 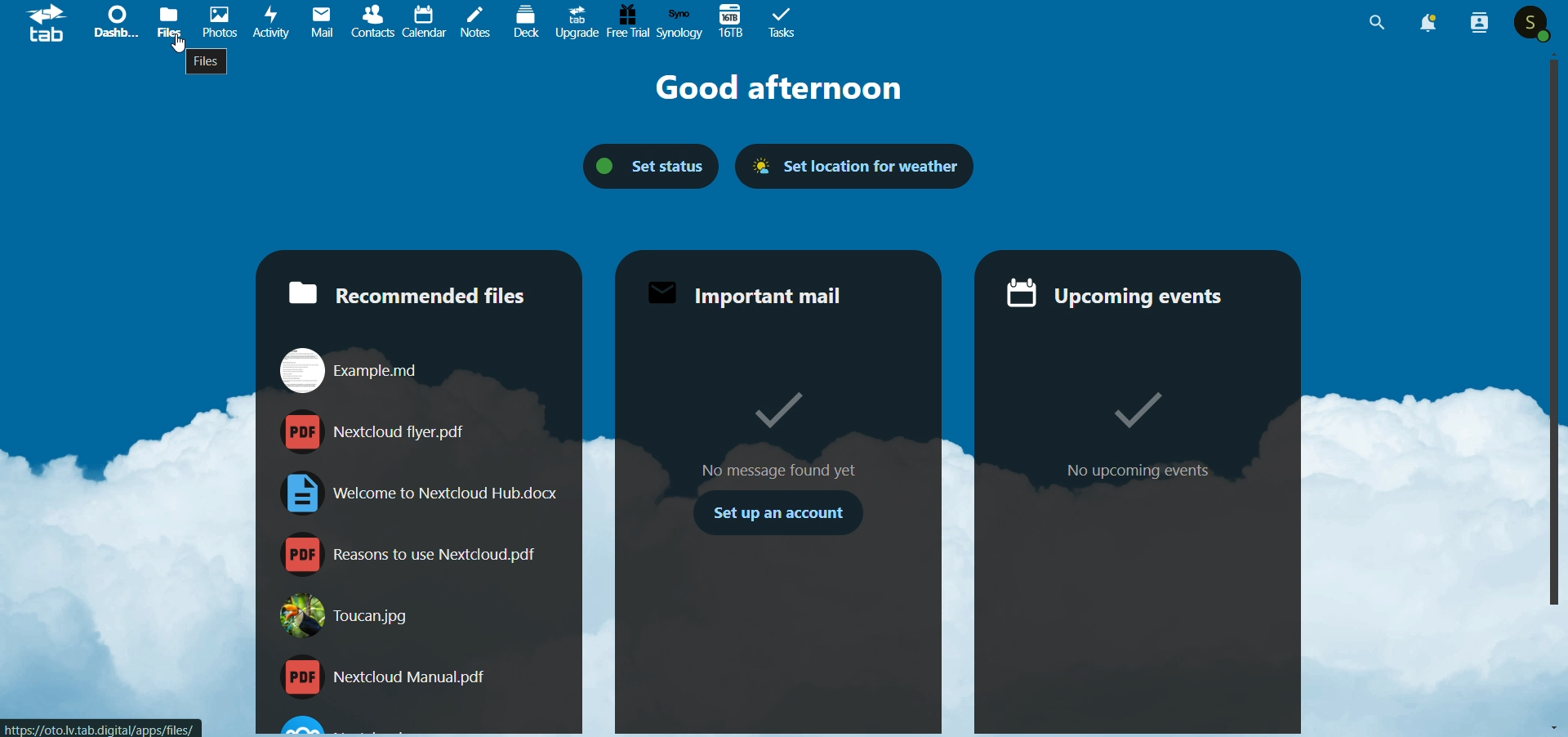 I want to click on flyer, so click(x=377, y=428).